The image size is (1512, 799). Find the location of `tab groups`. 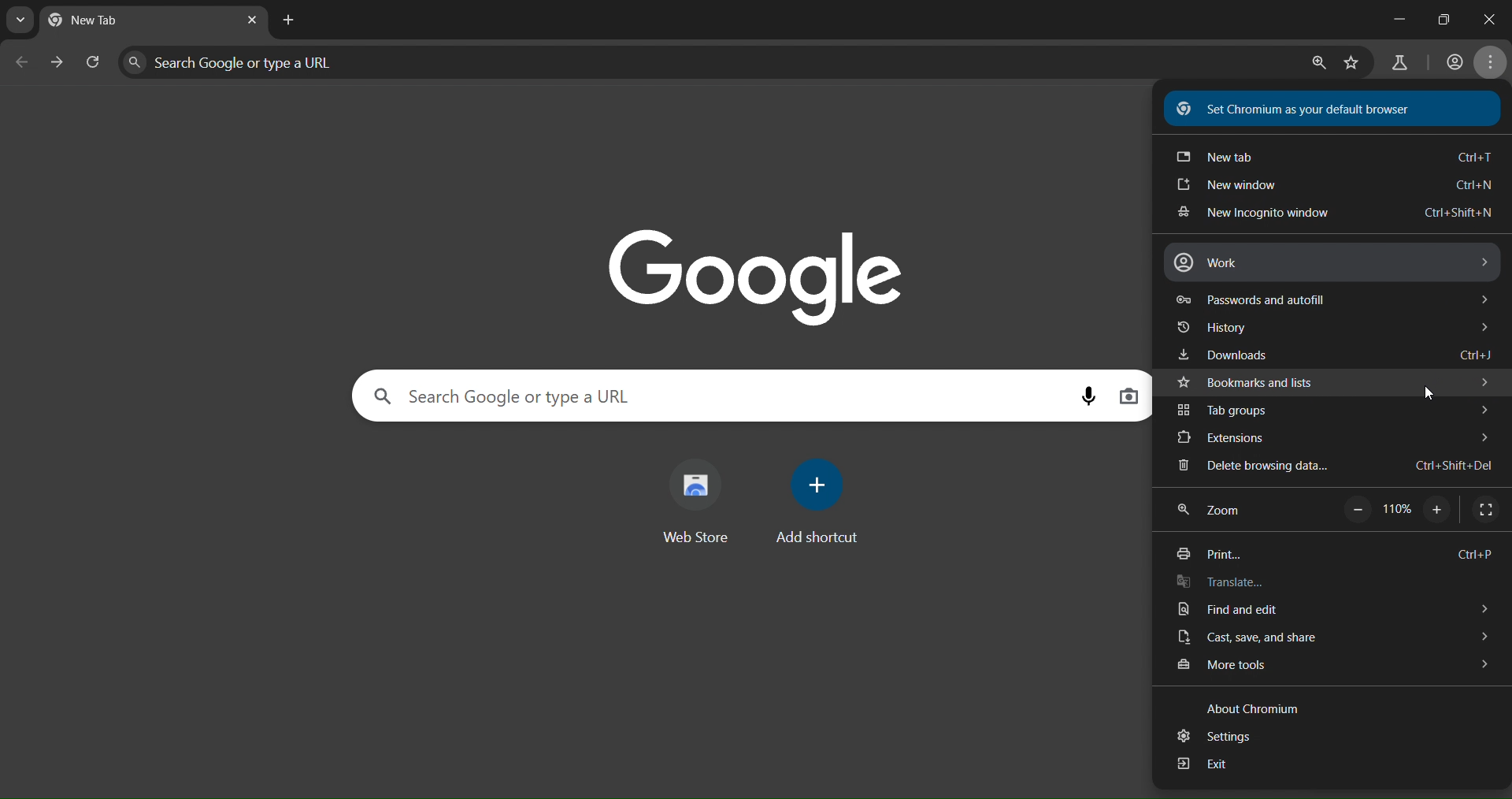

tab groups is located at coordinates (1333, 411).